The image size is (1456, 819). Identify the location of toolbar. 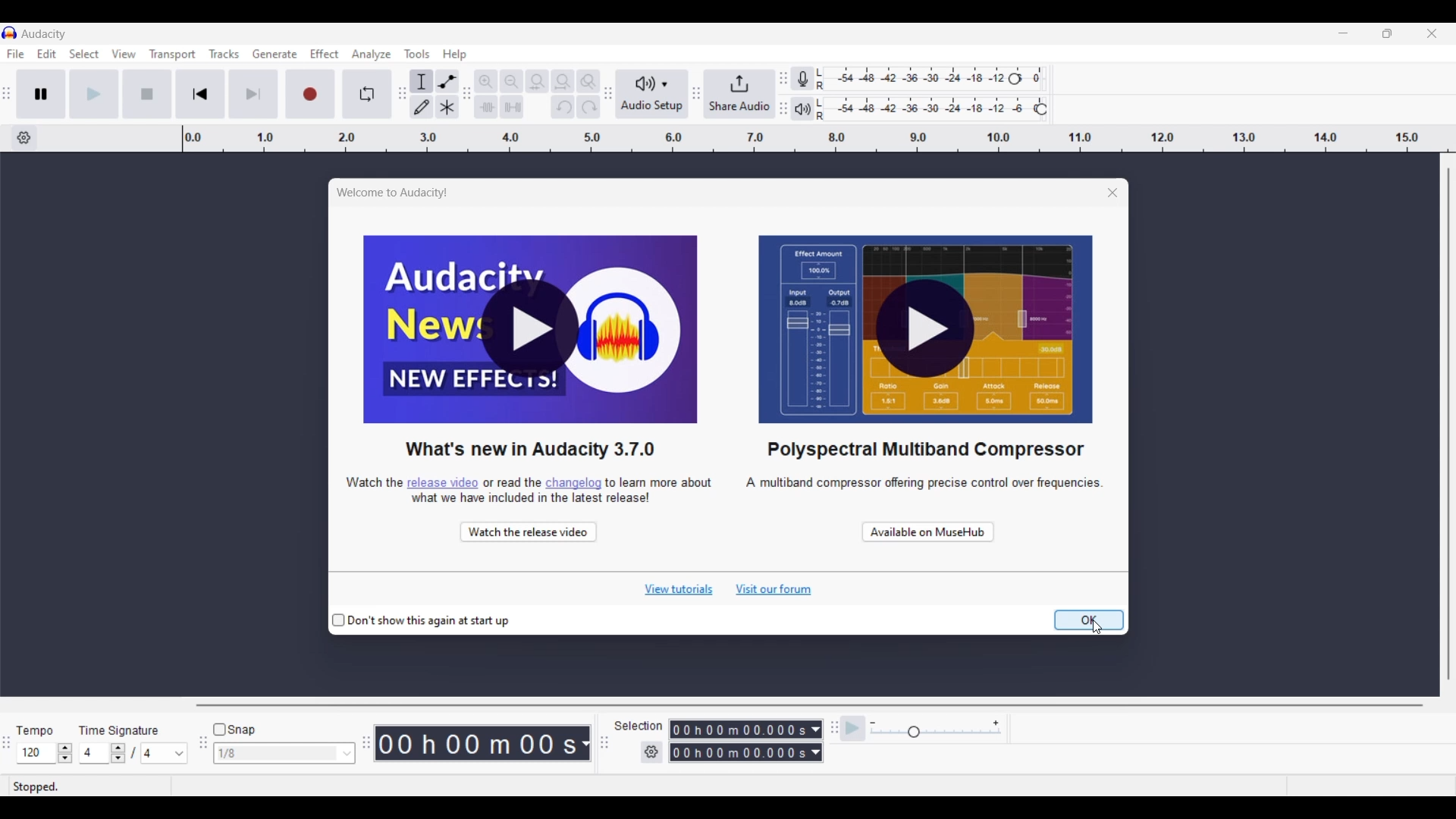
(782, 91).